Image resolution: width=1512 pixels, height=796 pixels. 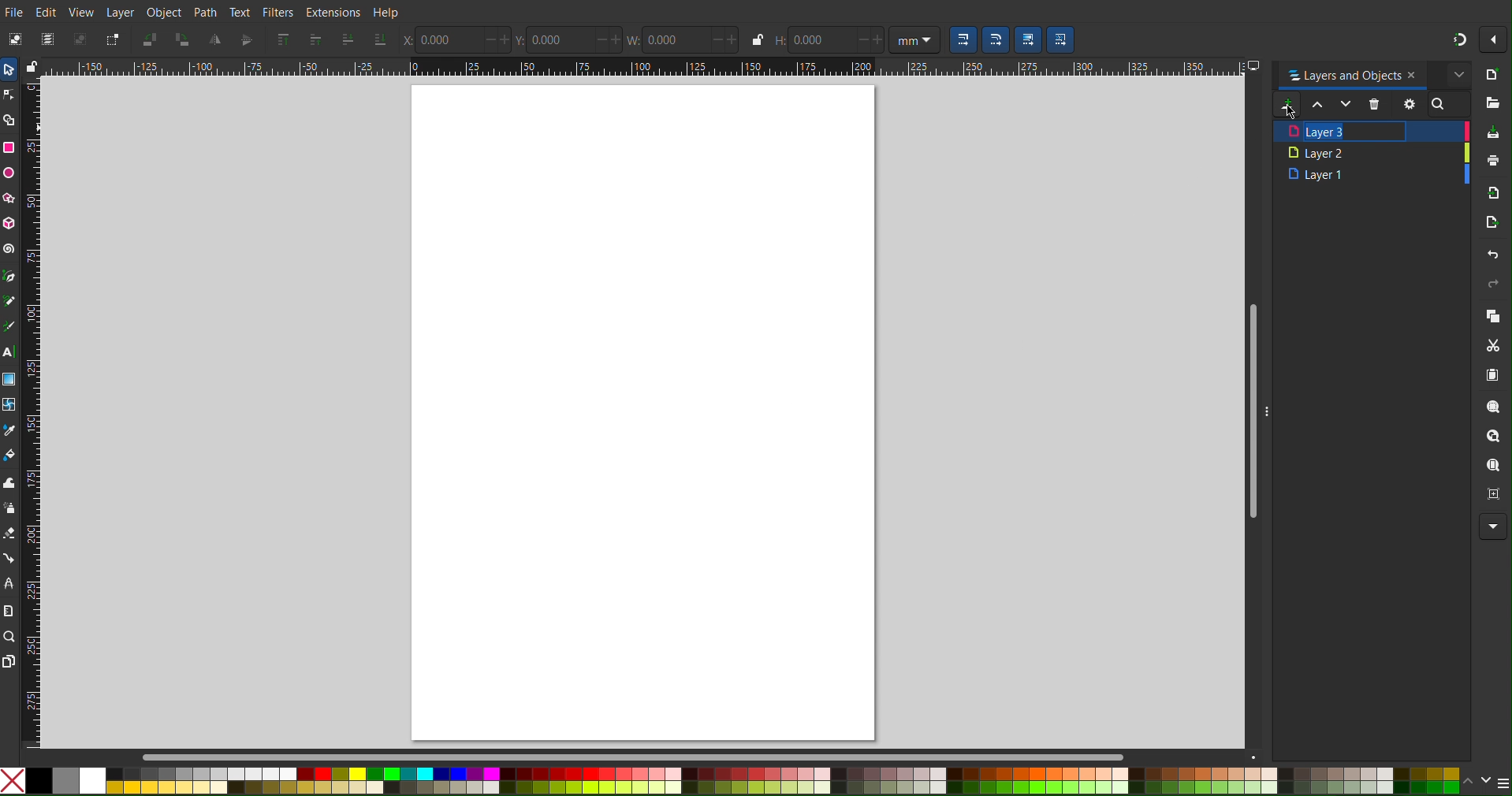 I want to click on Delete Layer, so click(x=1376, y=105).